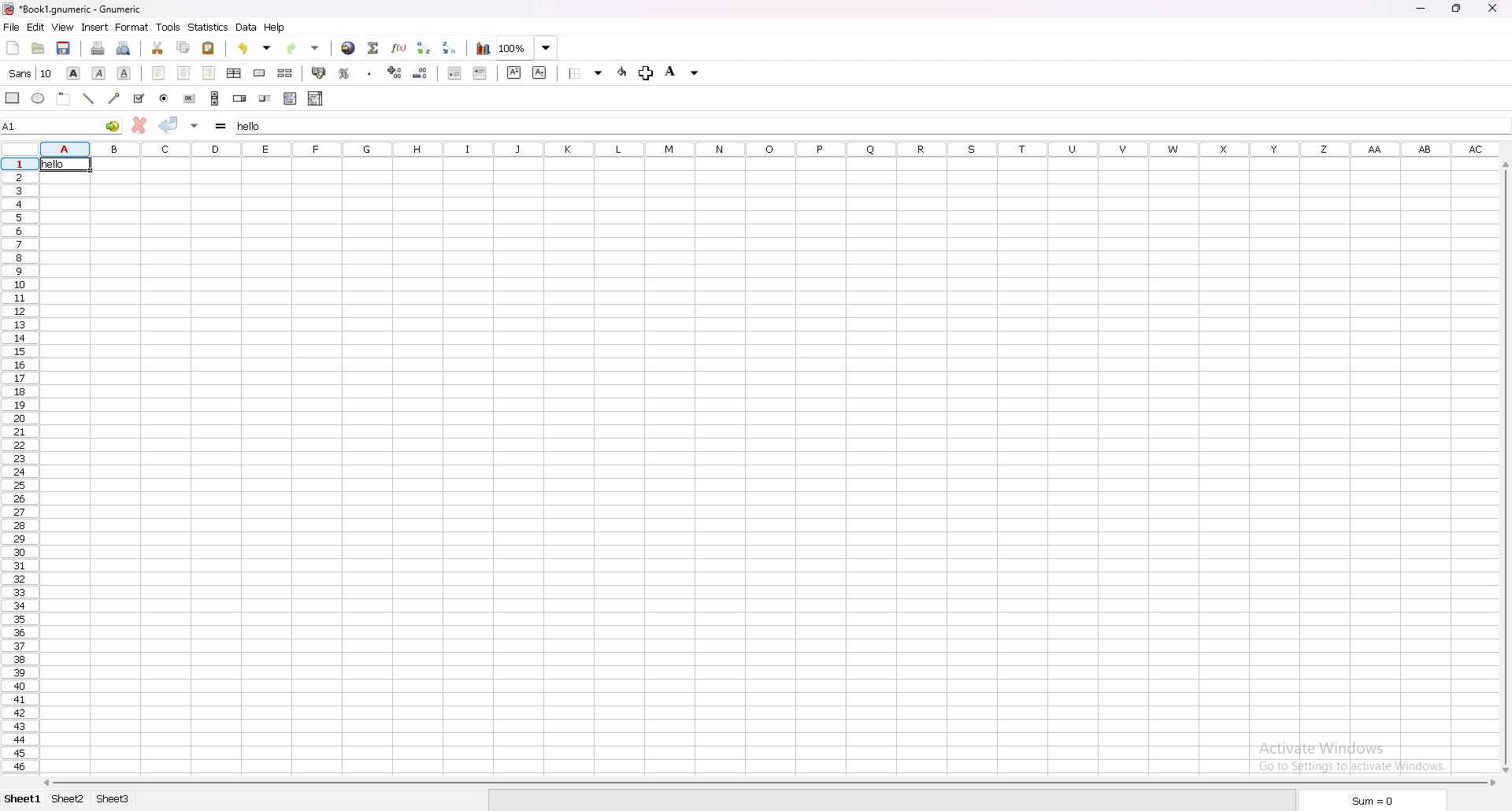 The height and width of the screenshot is (811, 1512). What do you see at coordinates (211, 74) in the screenshot?
I see `right align` at bounding box center [211, 74].